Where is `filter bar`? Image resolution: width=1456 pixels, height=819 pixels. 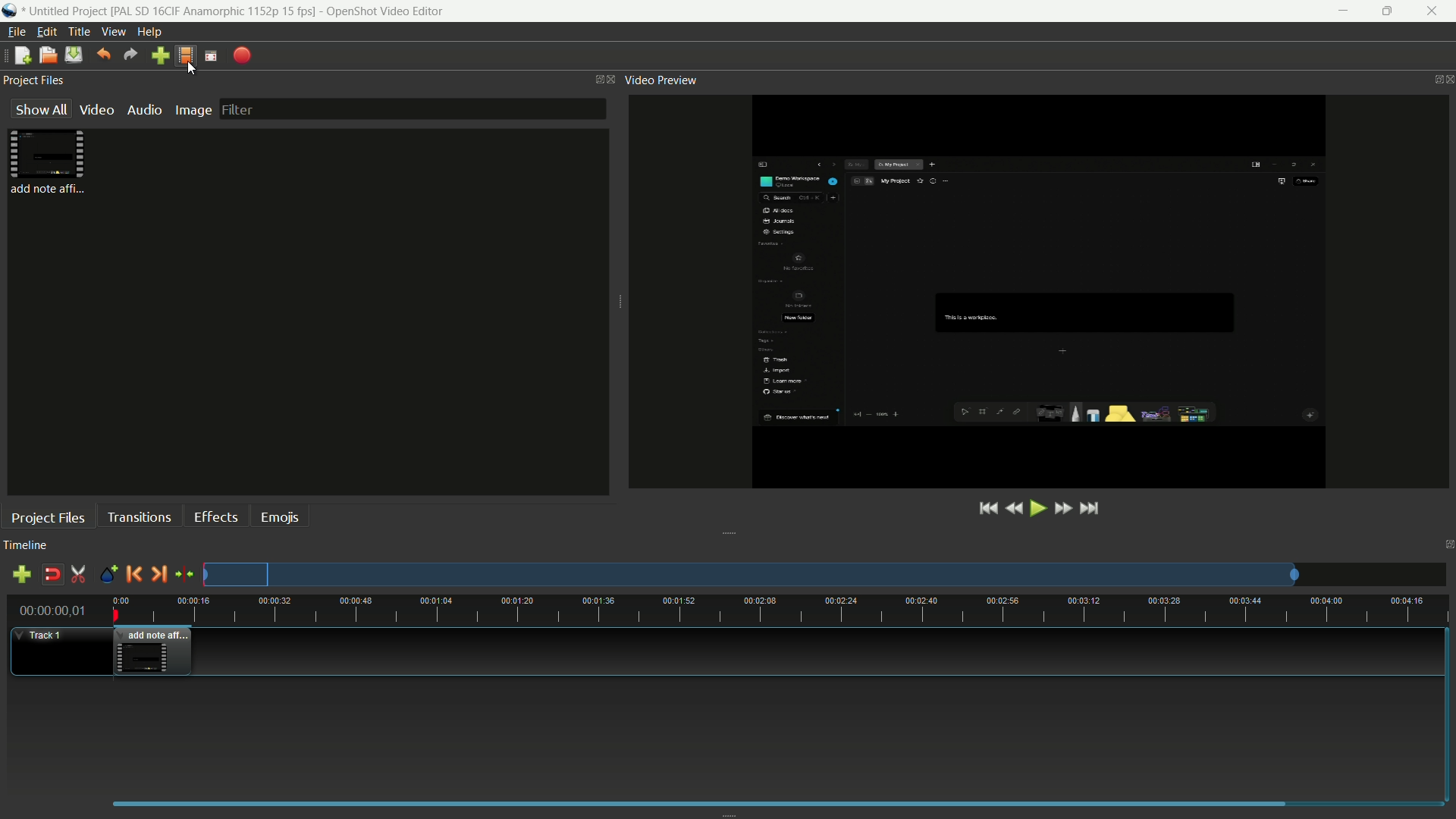 filter bar is located at coordinates (412, 108).